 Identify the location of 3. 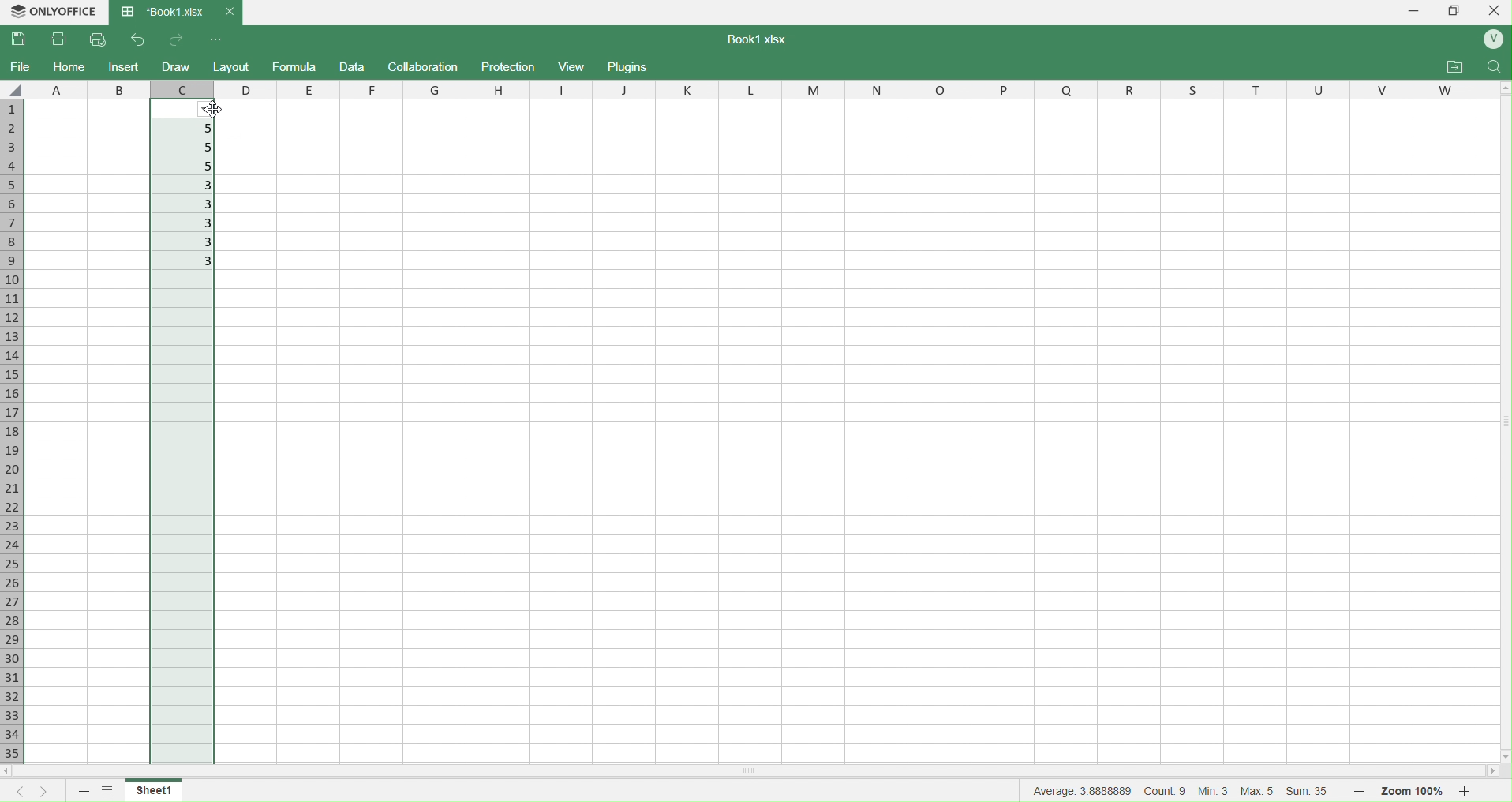
(182, 203).